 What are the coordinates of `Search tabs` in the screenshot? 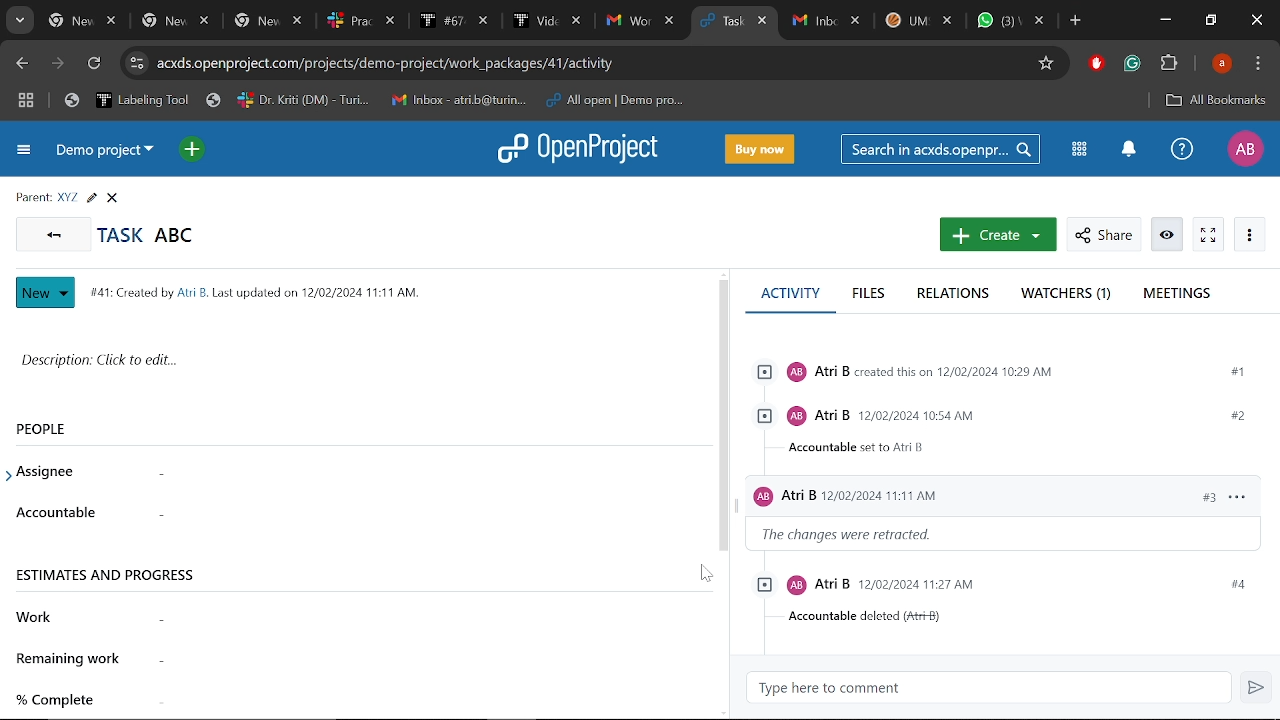 It's located at (20, 20).